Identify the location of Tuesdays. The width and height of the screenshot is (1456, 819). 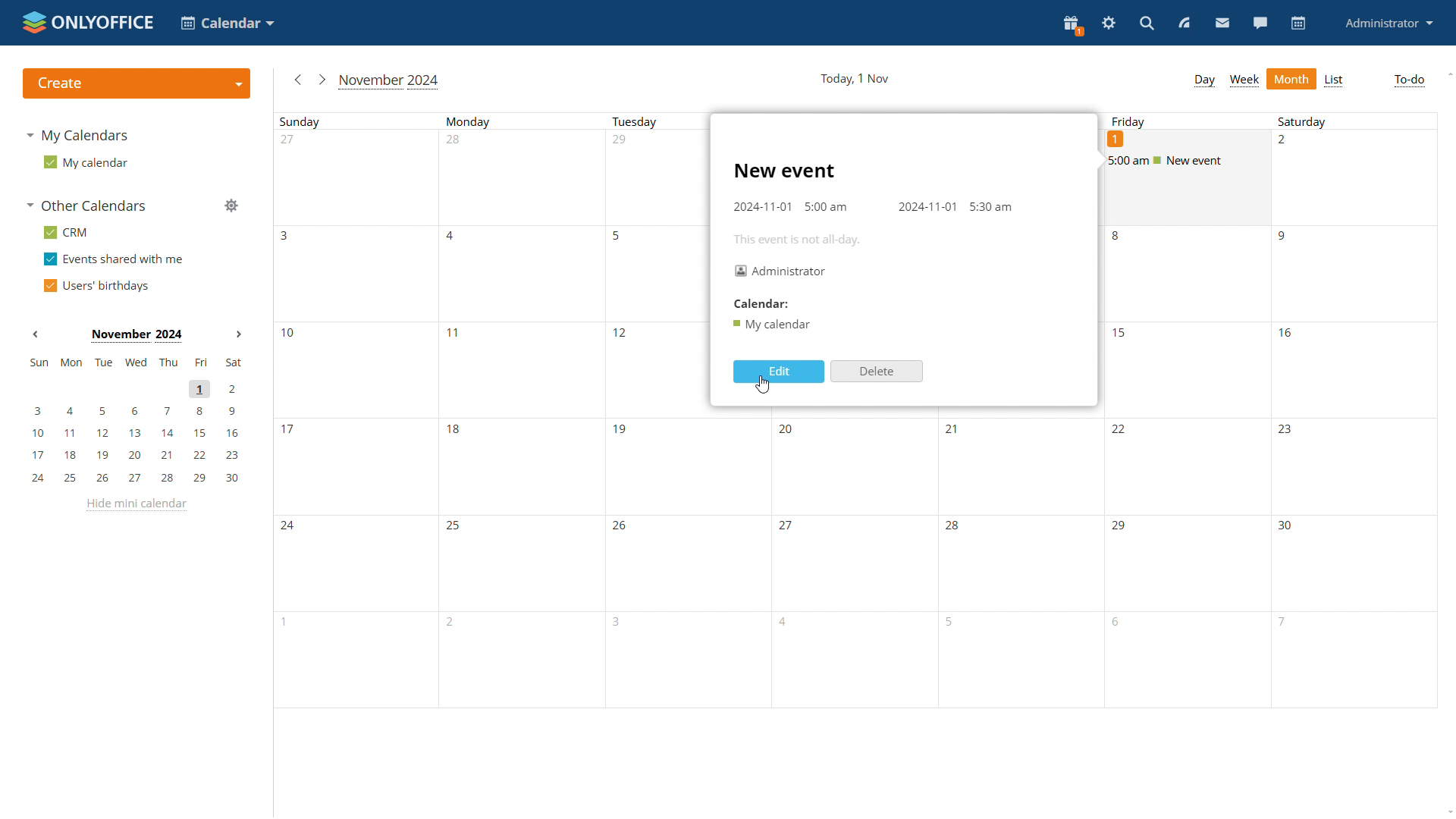
(654, 411).